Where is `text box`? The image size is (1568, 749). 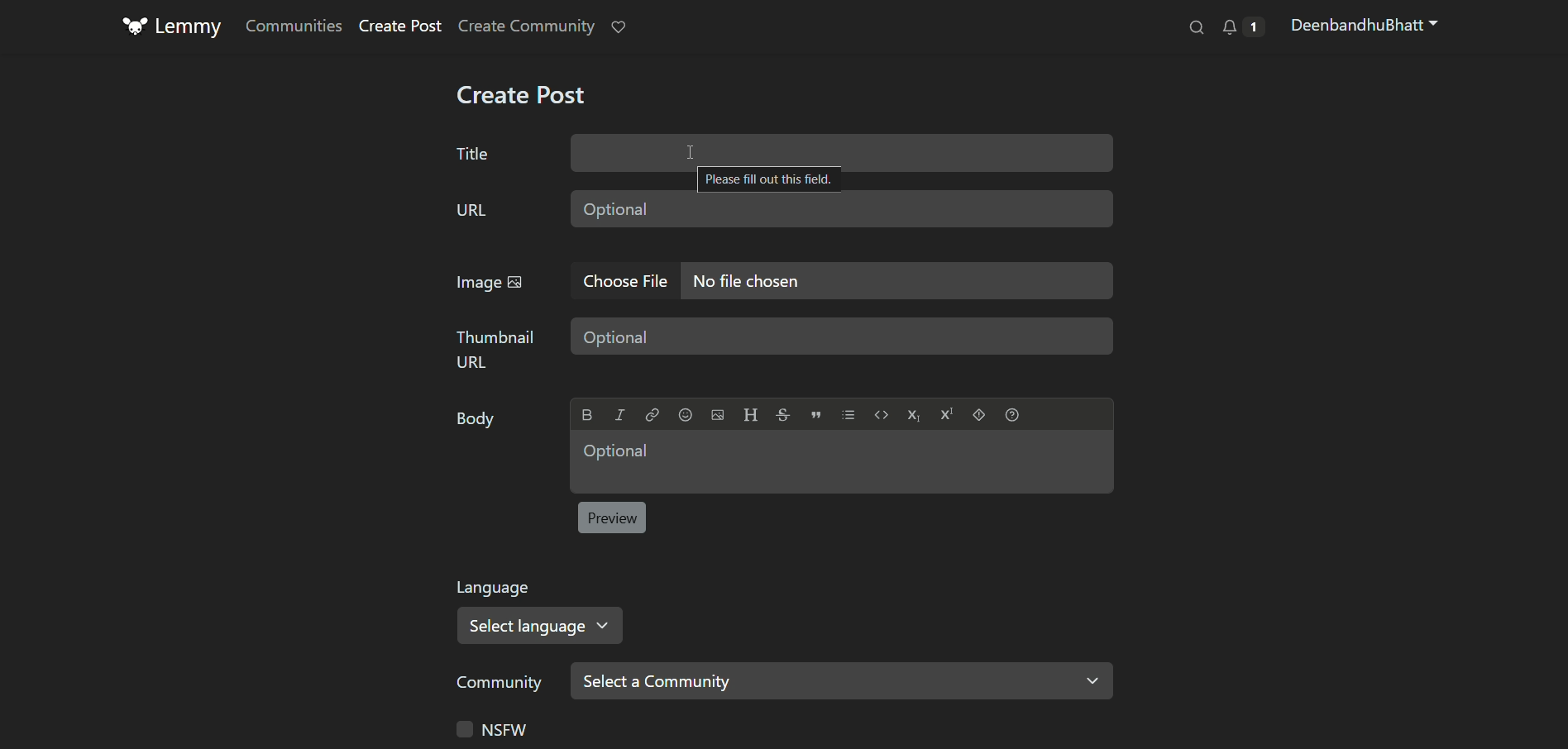 text box is located at coordinates (841, 462).